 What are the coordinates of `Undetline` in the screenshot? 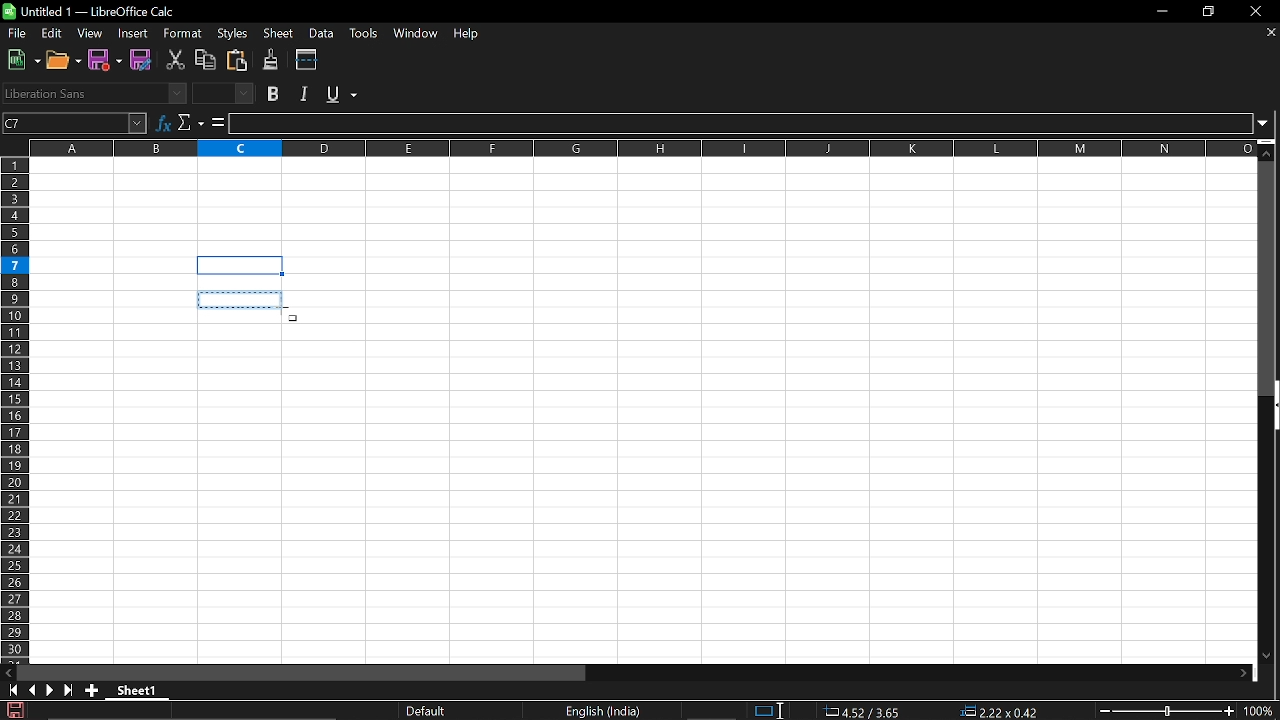 It's located at (341, 93).